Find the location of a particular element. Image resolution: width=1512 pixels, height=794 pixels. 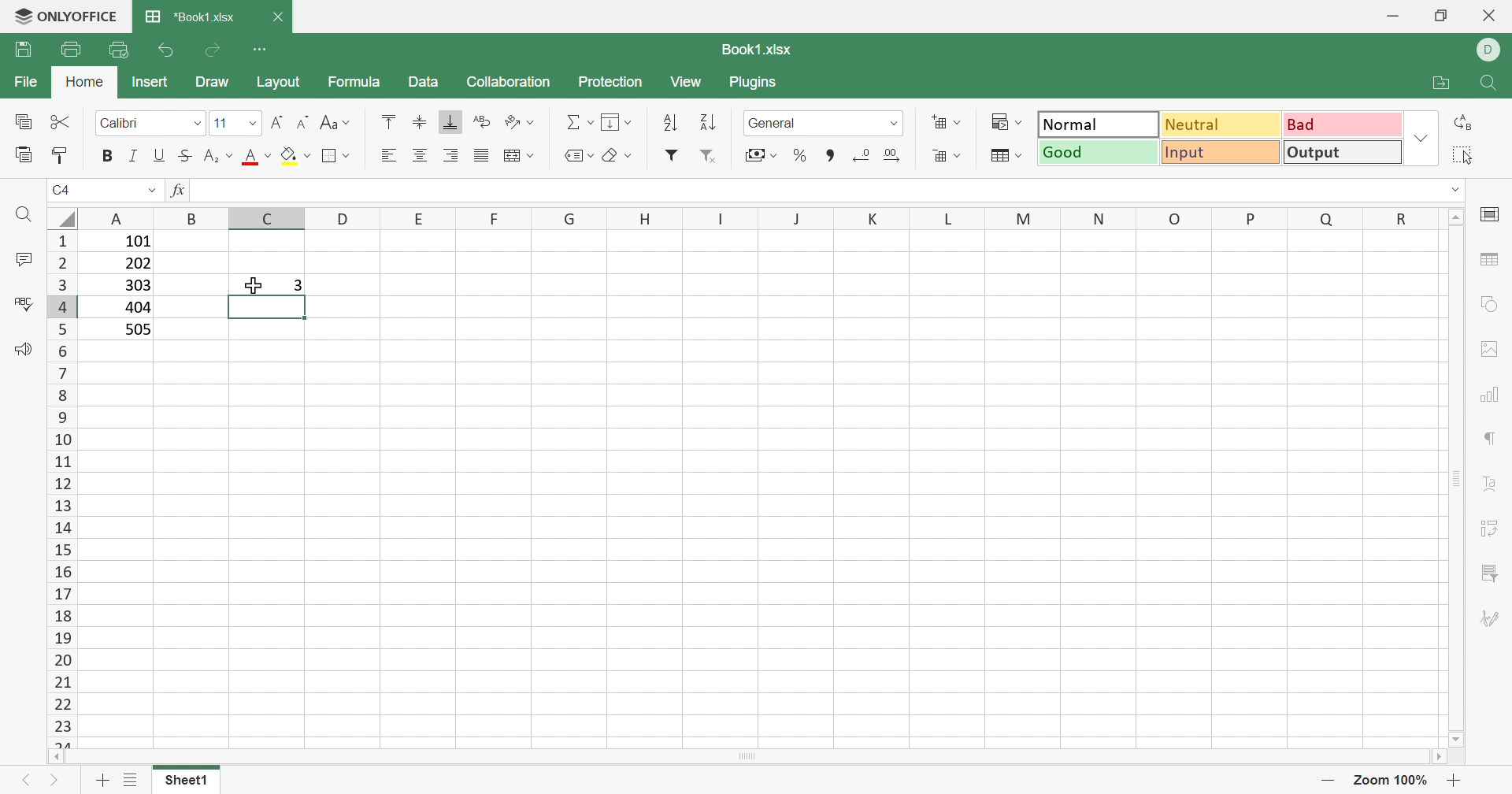

Summation is located at coordinates (579, 118).